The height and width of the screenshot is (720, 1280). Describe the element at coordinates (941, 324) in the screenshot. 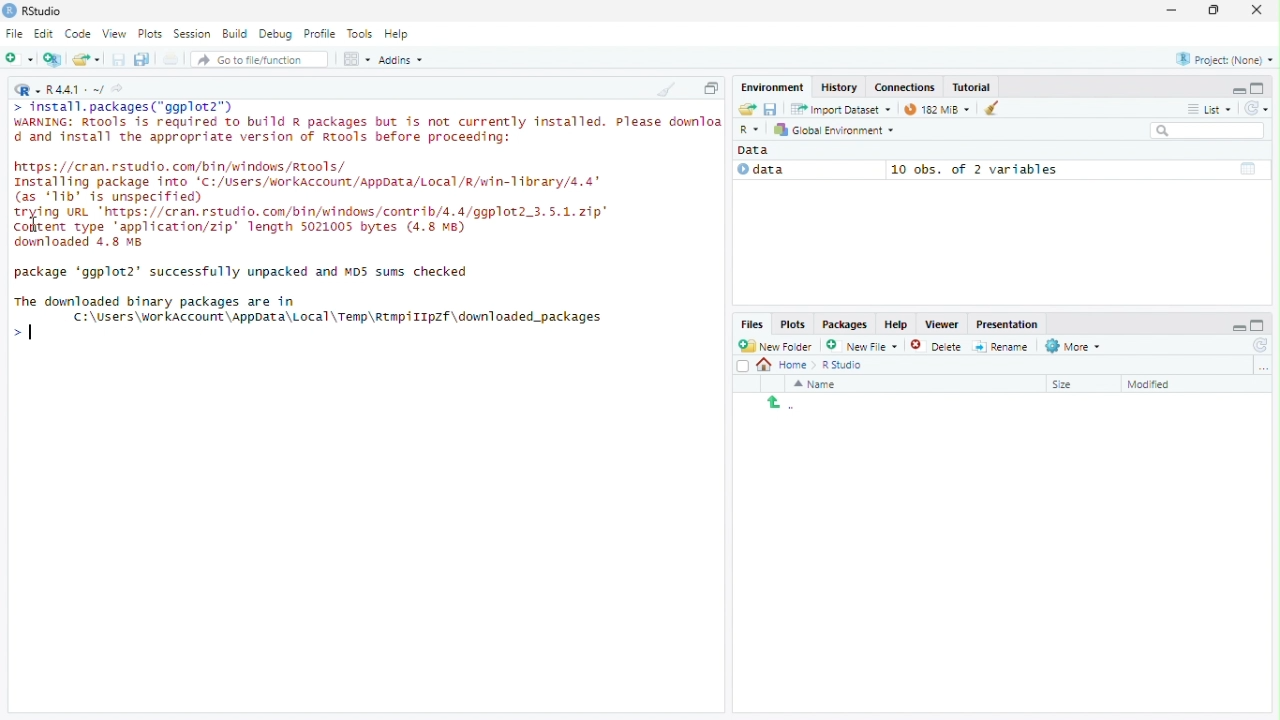

I see `Viewer` at that location.